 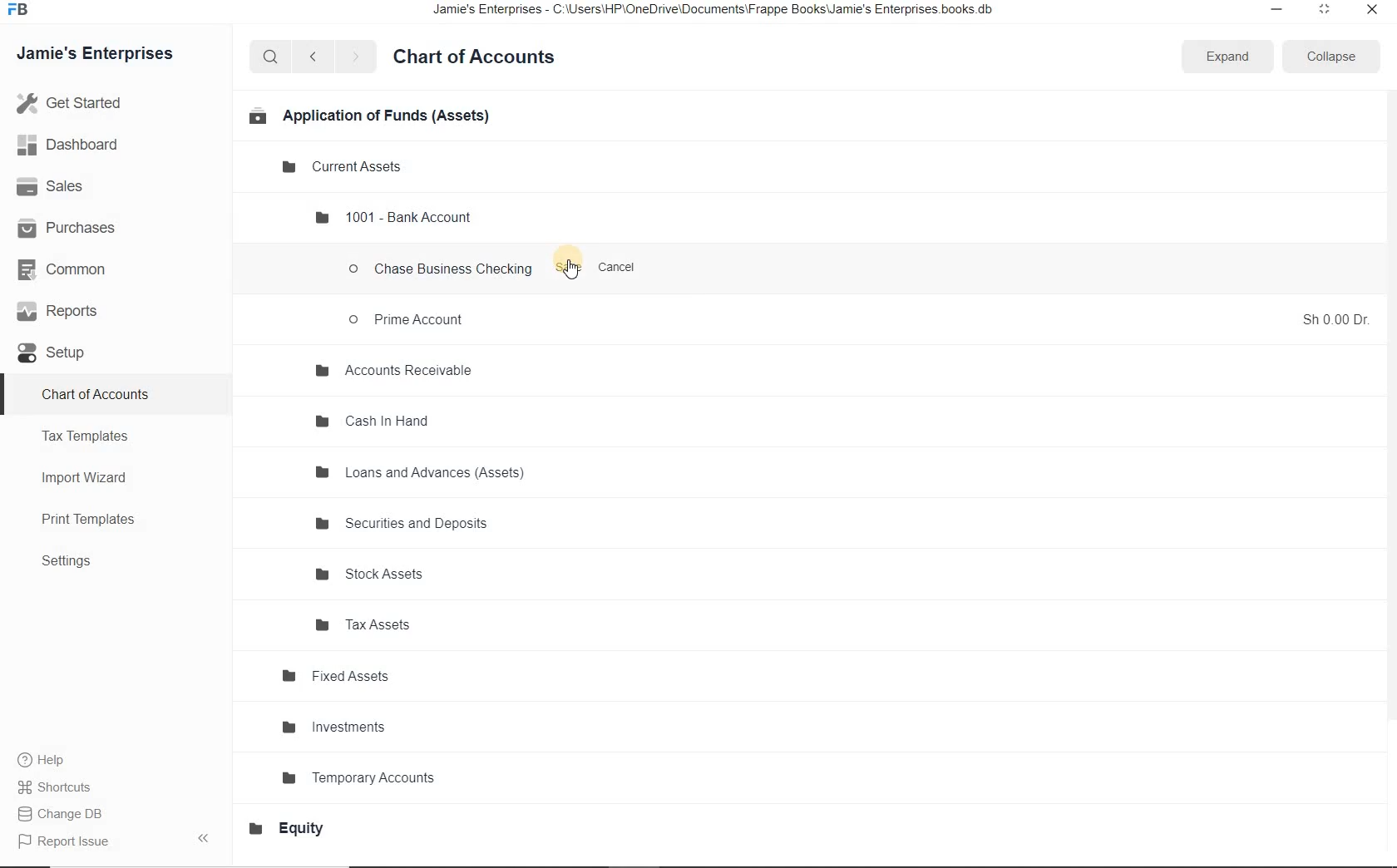 What do you see at coordinates (392, 372) in the screenshot?
I see `Accounts Receivable` at bounding box center [392, 372].